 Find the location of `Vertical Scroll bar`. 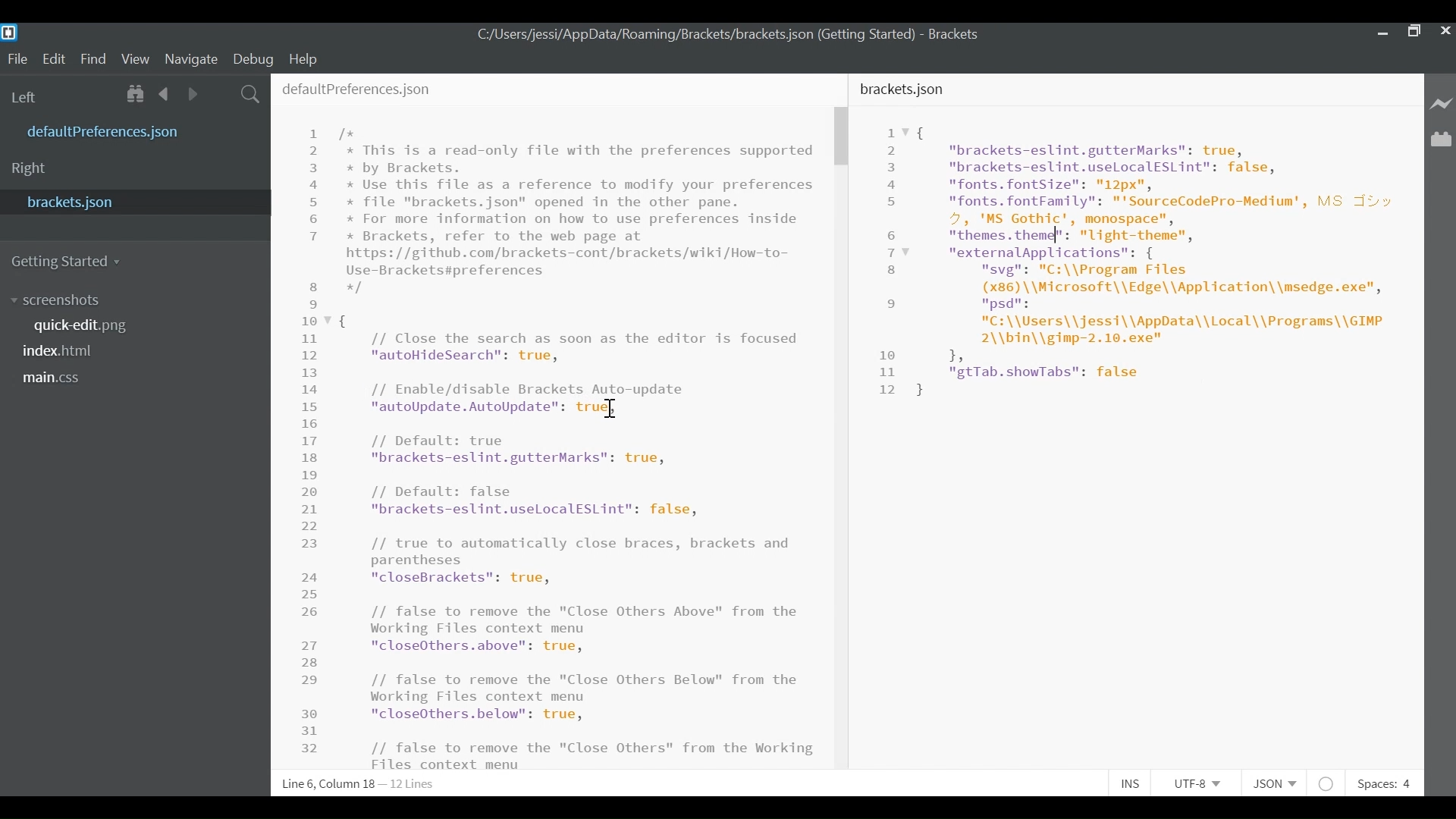

Vertical Scroll bar is located at coordinates (840, 137).